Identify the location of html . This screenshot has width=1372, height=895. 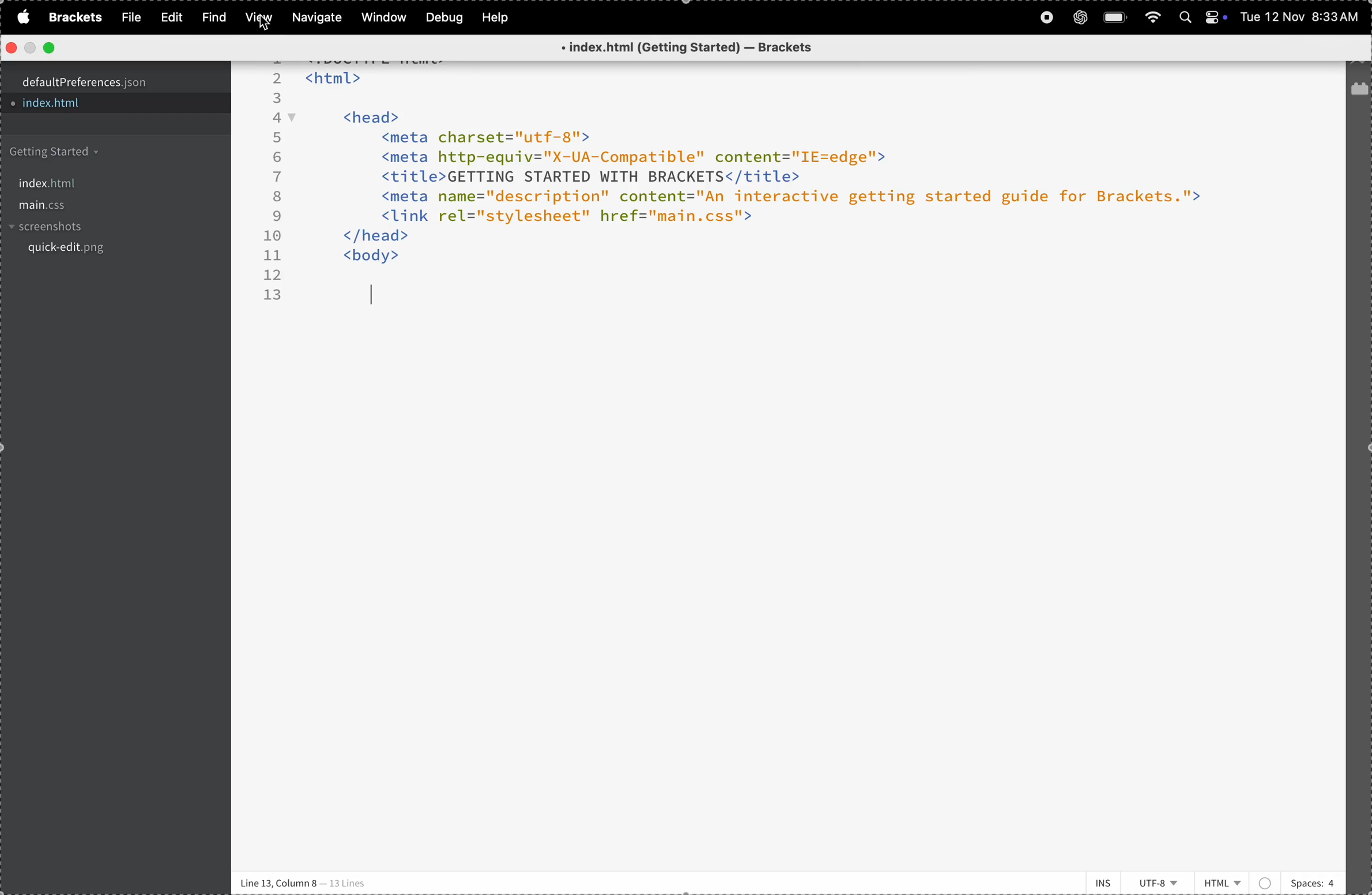
(1237, 879).